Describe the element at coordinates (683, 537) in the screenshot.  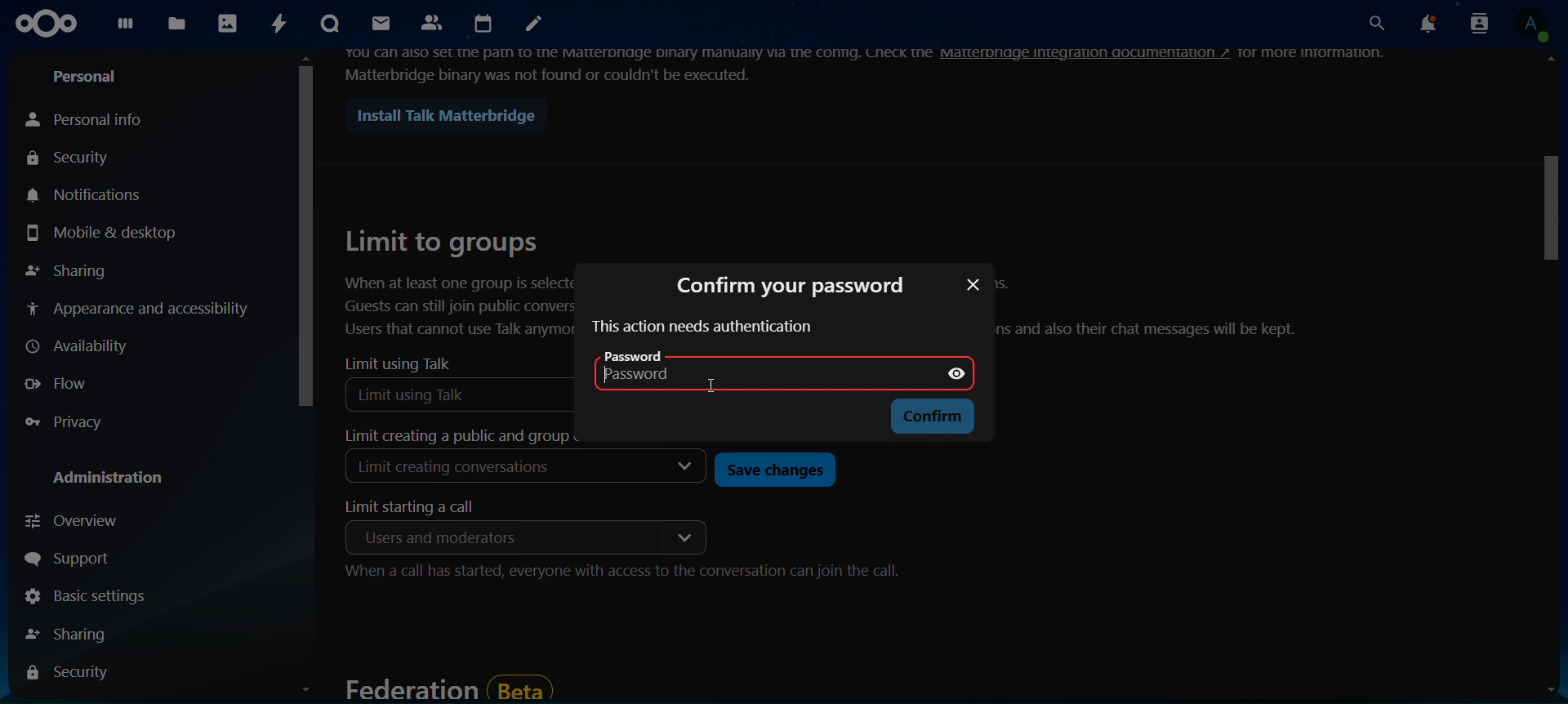
I see `dropdown` at that location.